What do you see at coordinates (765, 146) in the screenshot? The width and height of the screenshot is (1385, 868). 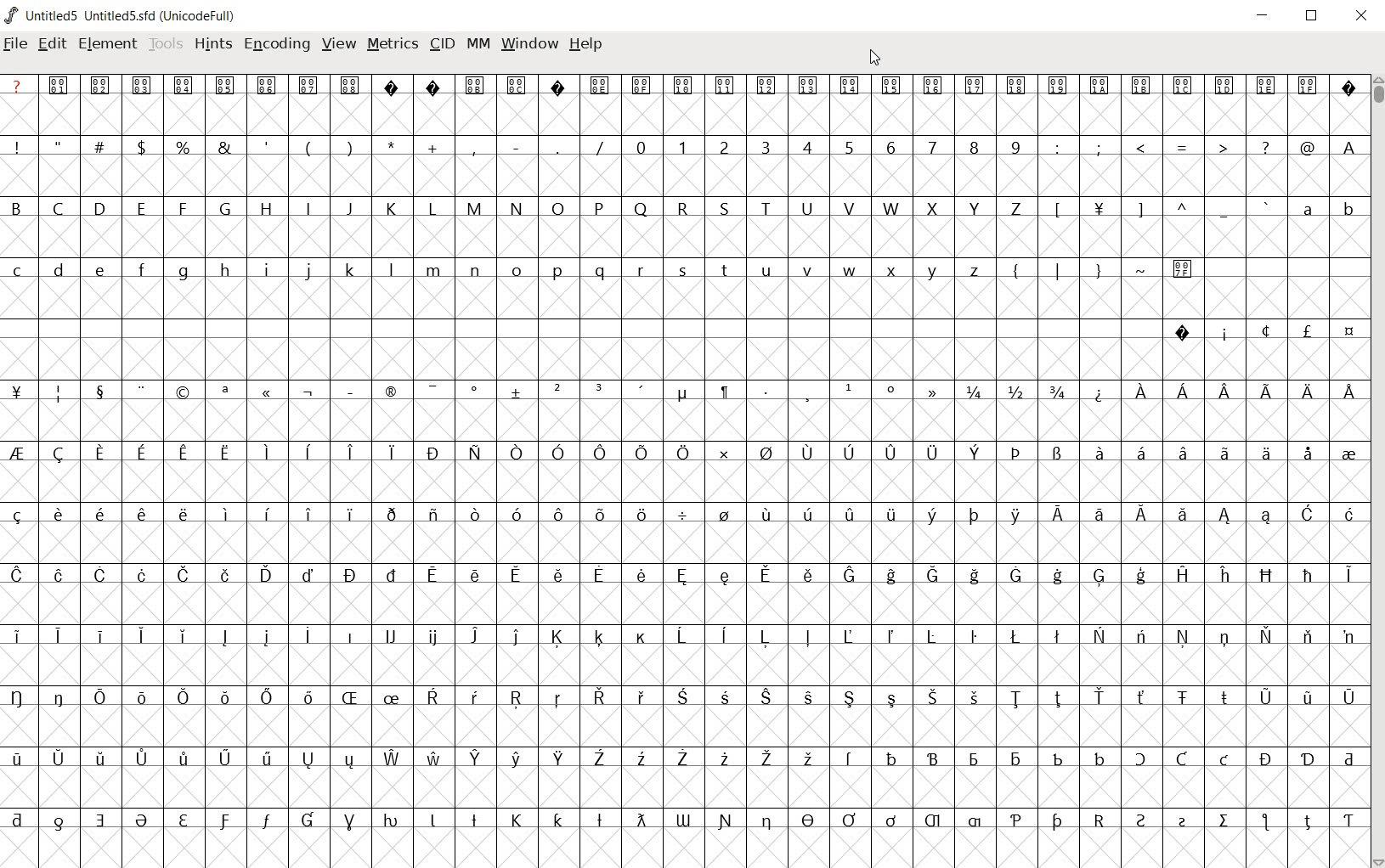 I see `3` at bounding box center [765, 146].